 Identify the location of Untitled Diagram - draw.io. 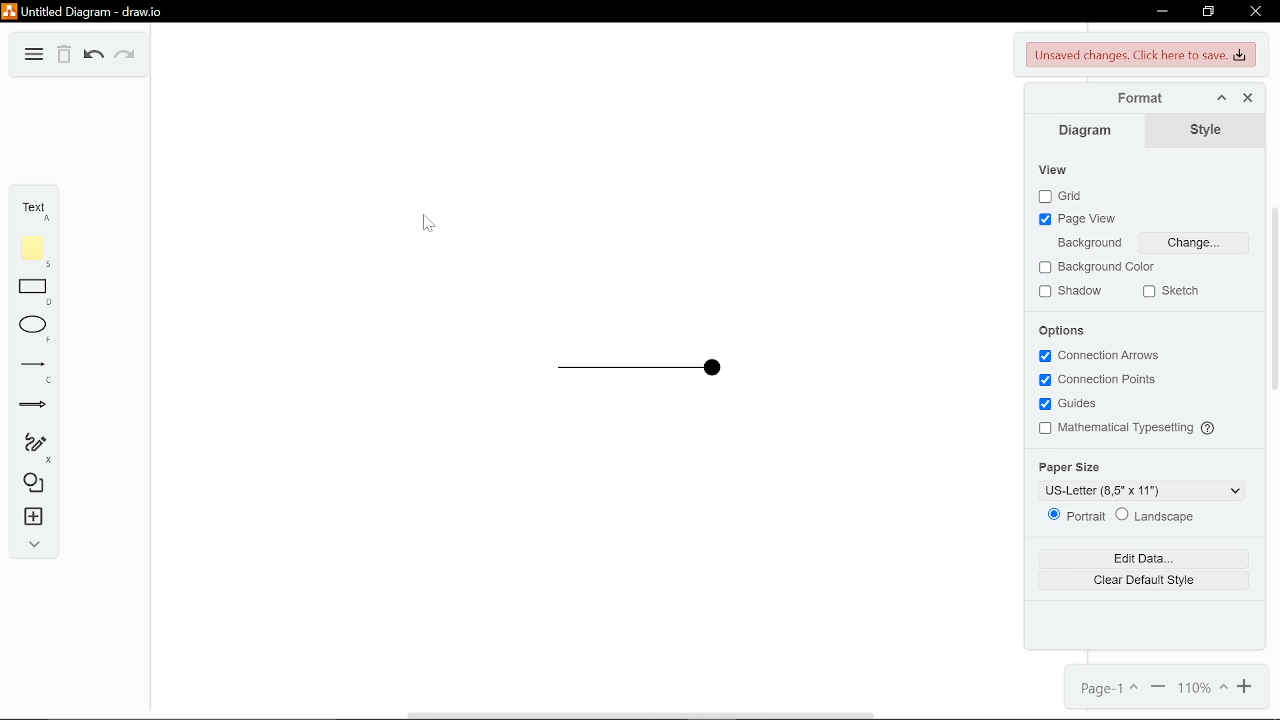
(82, 11).